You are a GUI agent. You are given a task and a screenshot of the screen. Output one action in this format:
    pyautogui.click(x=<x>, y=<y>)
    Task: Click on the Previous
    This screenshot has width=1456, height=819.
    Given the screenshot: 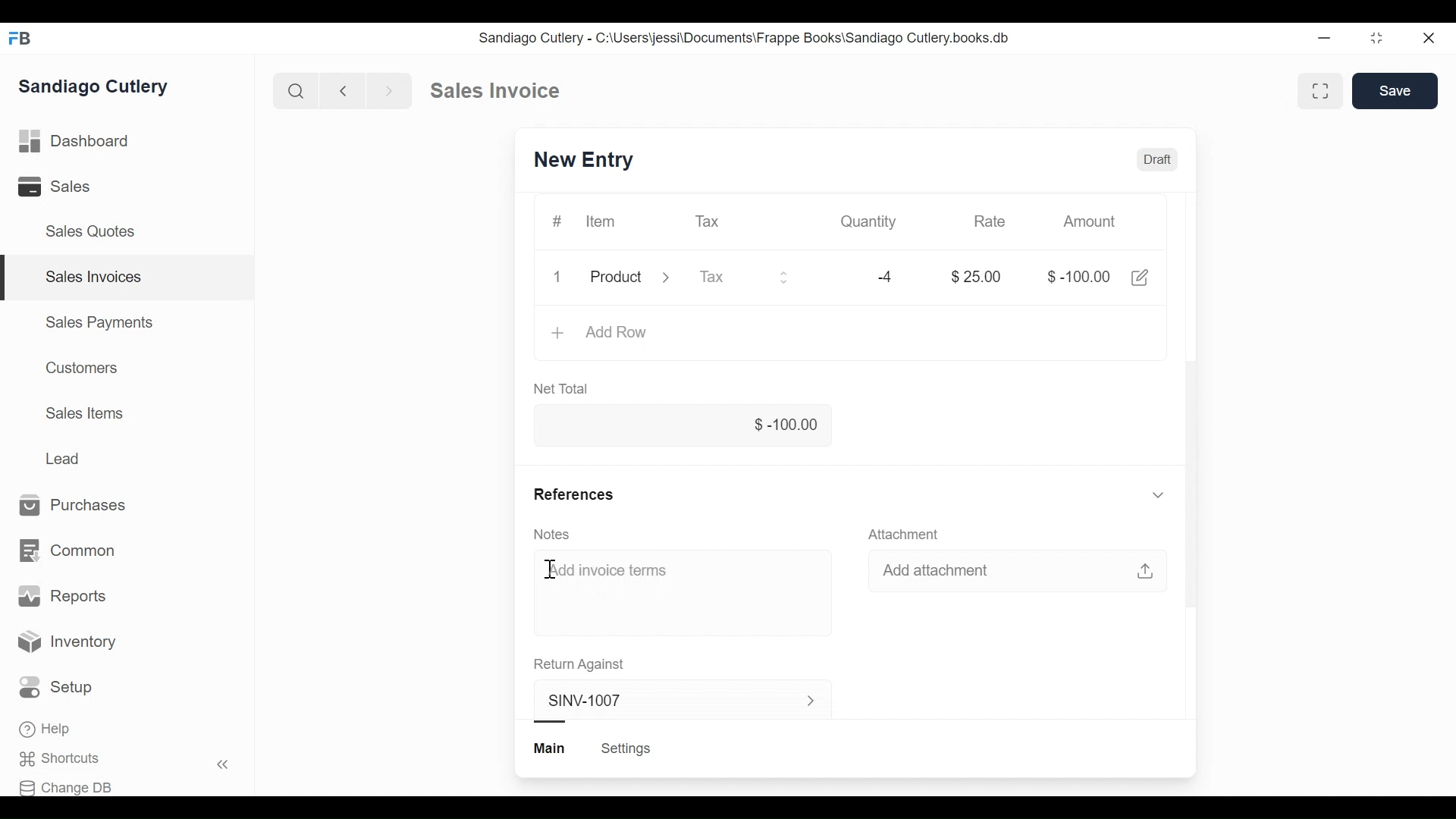 What is the action you would take?
    pyautogui.click(x=344, y=90)
    